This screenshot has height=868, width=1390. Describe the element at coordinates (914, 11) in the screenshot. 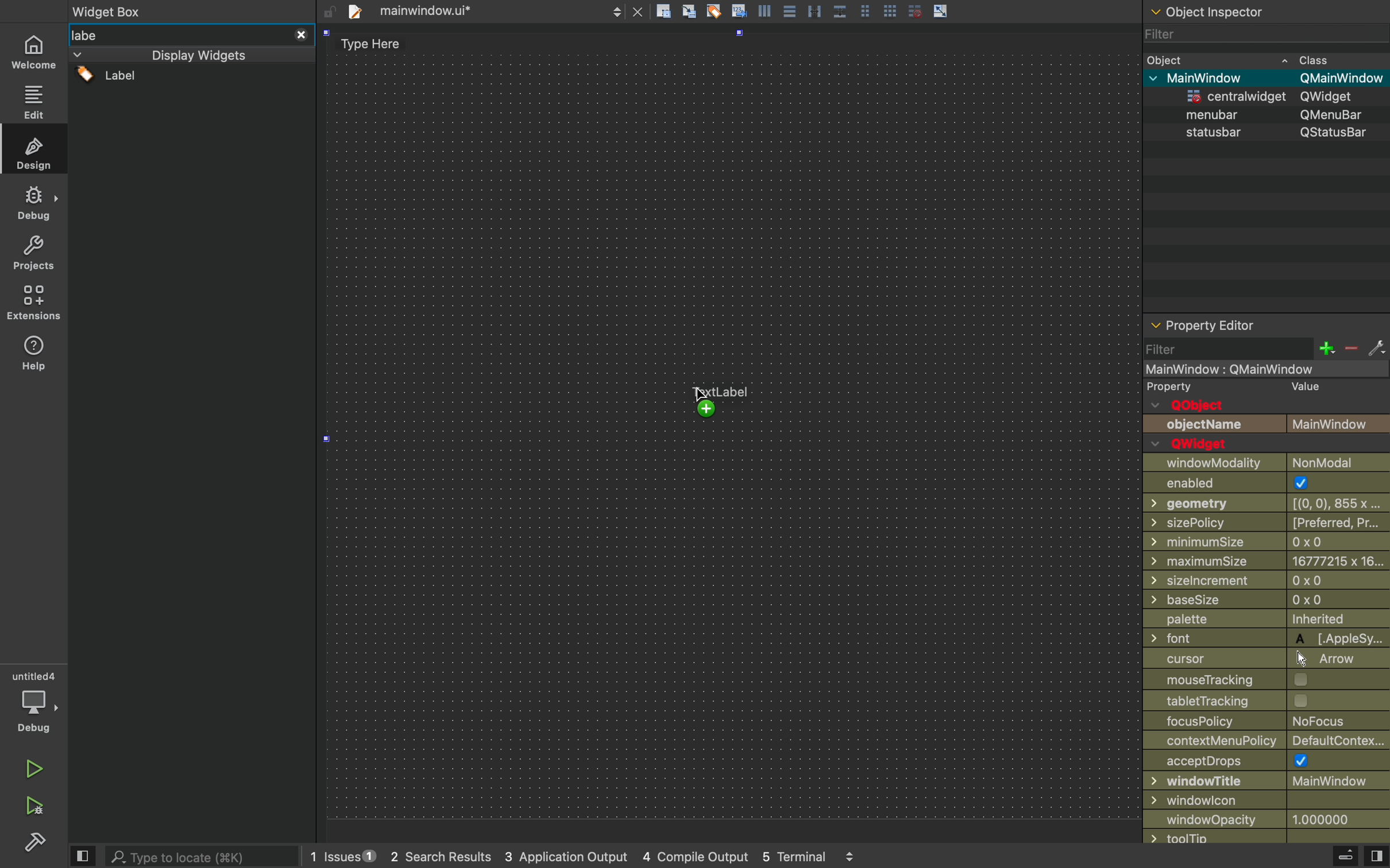

I see `grid` at that location.